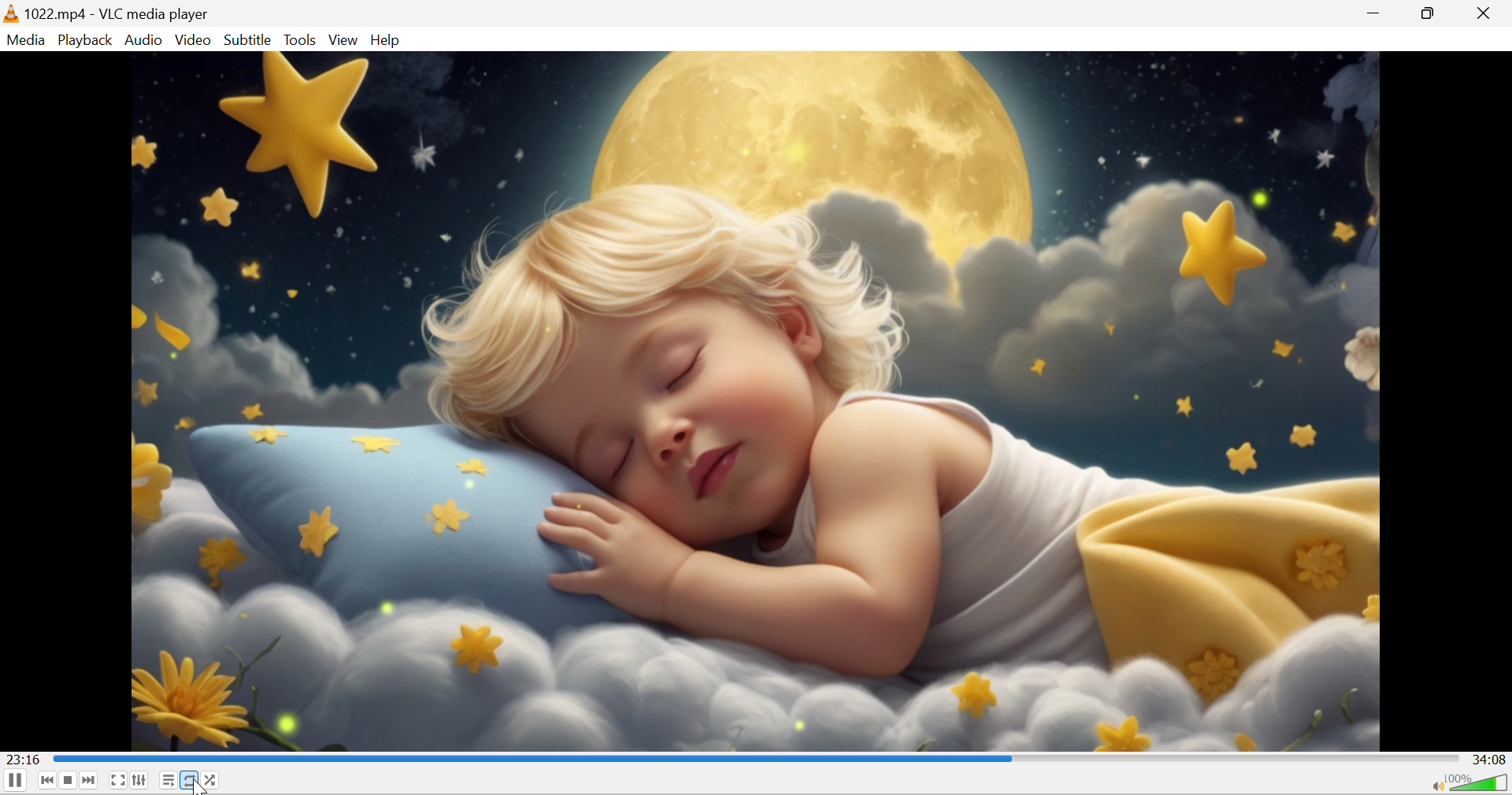 This screenshot has height=795, width=1512. I want to click on Minimize, so click(1377, 13).